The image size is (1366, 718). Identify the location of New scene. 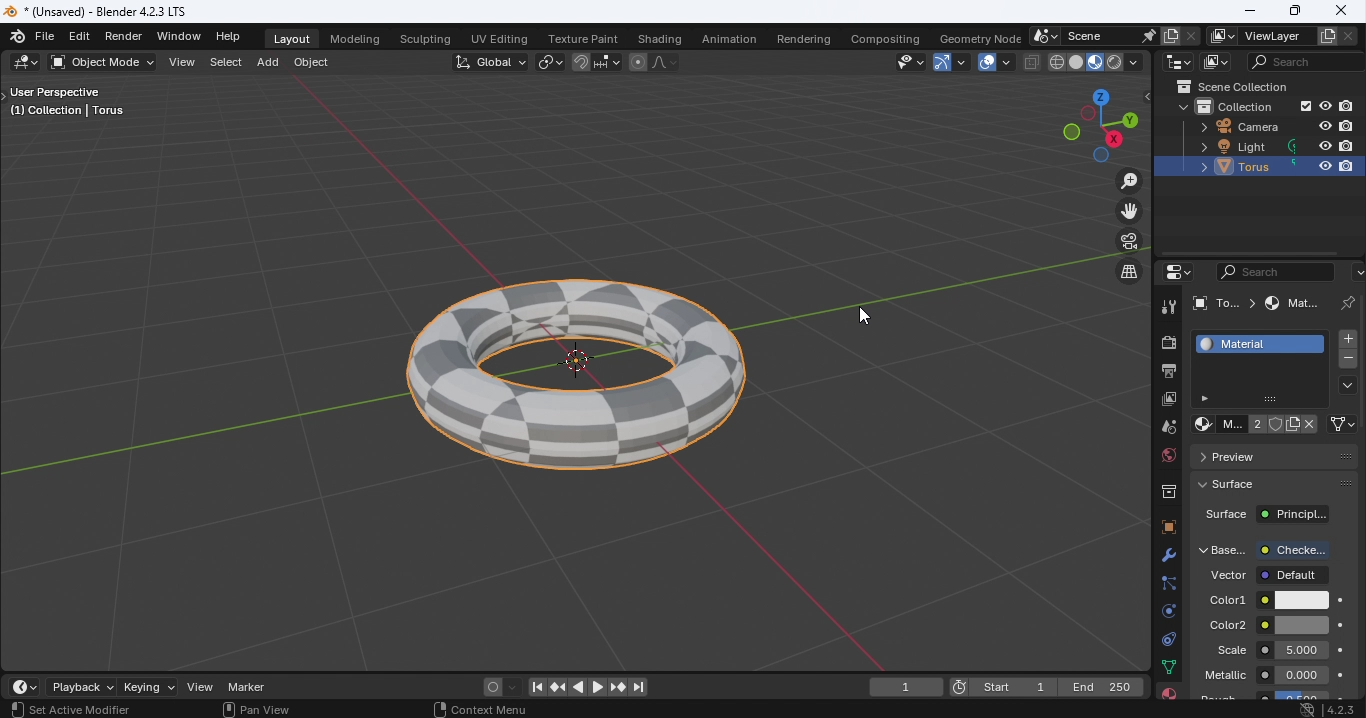
(1168, 35).